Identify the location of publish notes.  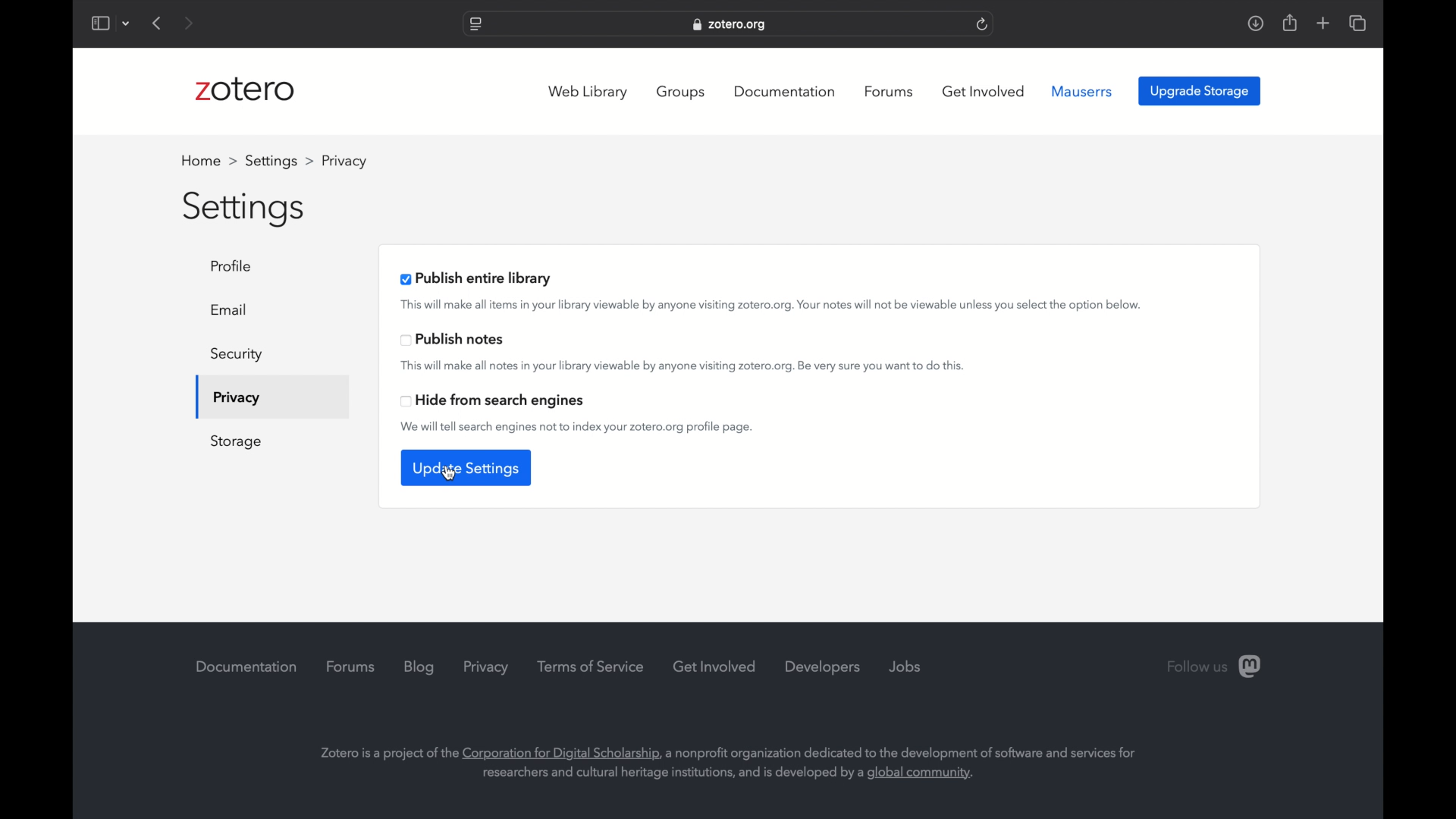
(453, 340).